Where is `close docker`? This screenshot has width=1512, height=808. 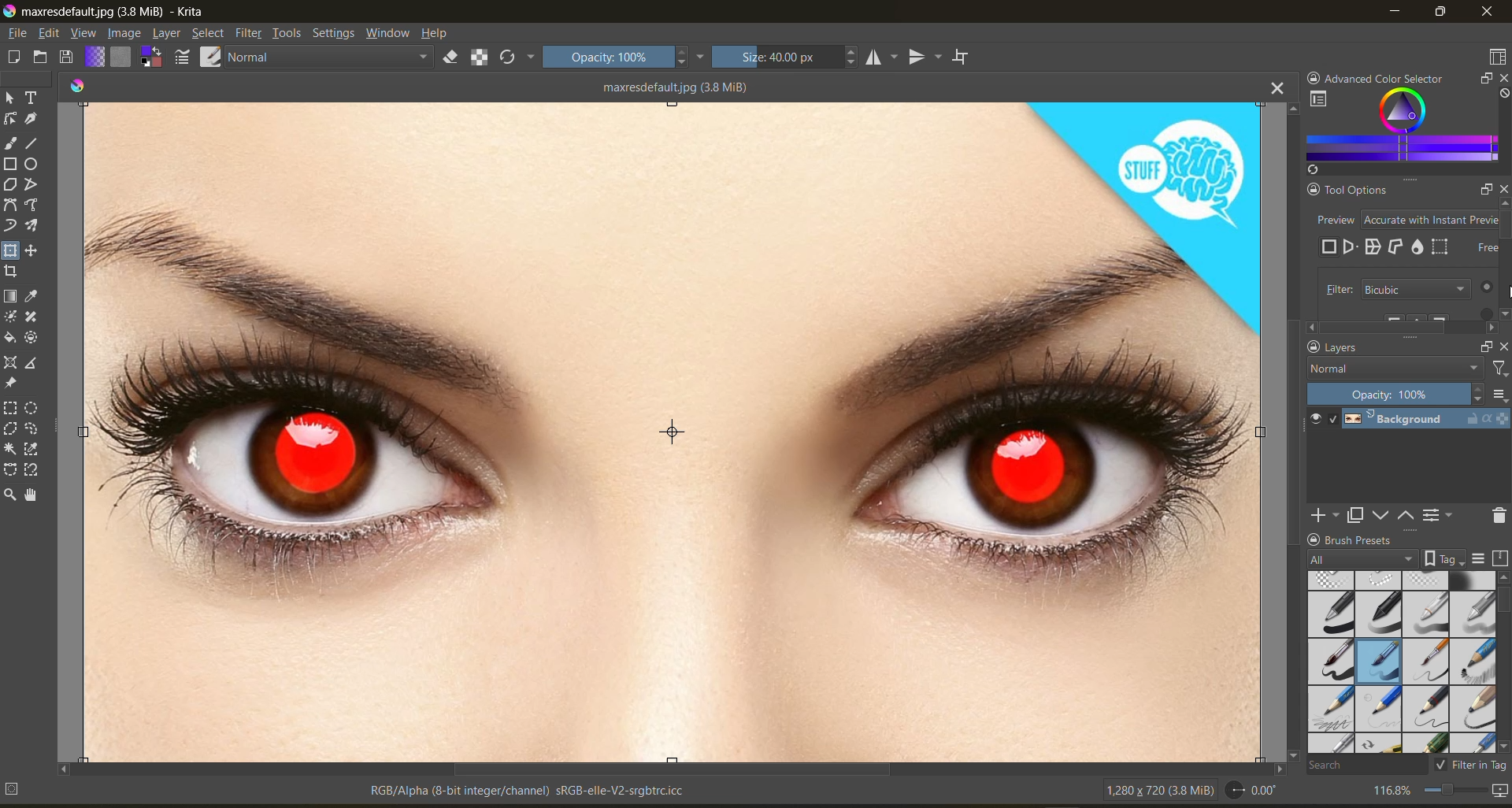 close docker is located at coordinates (1501, 77).